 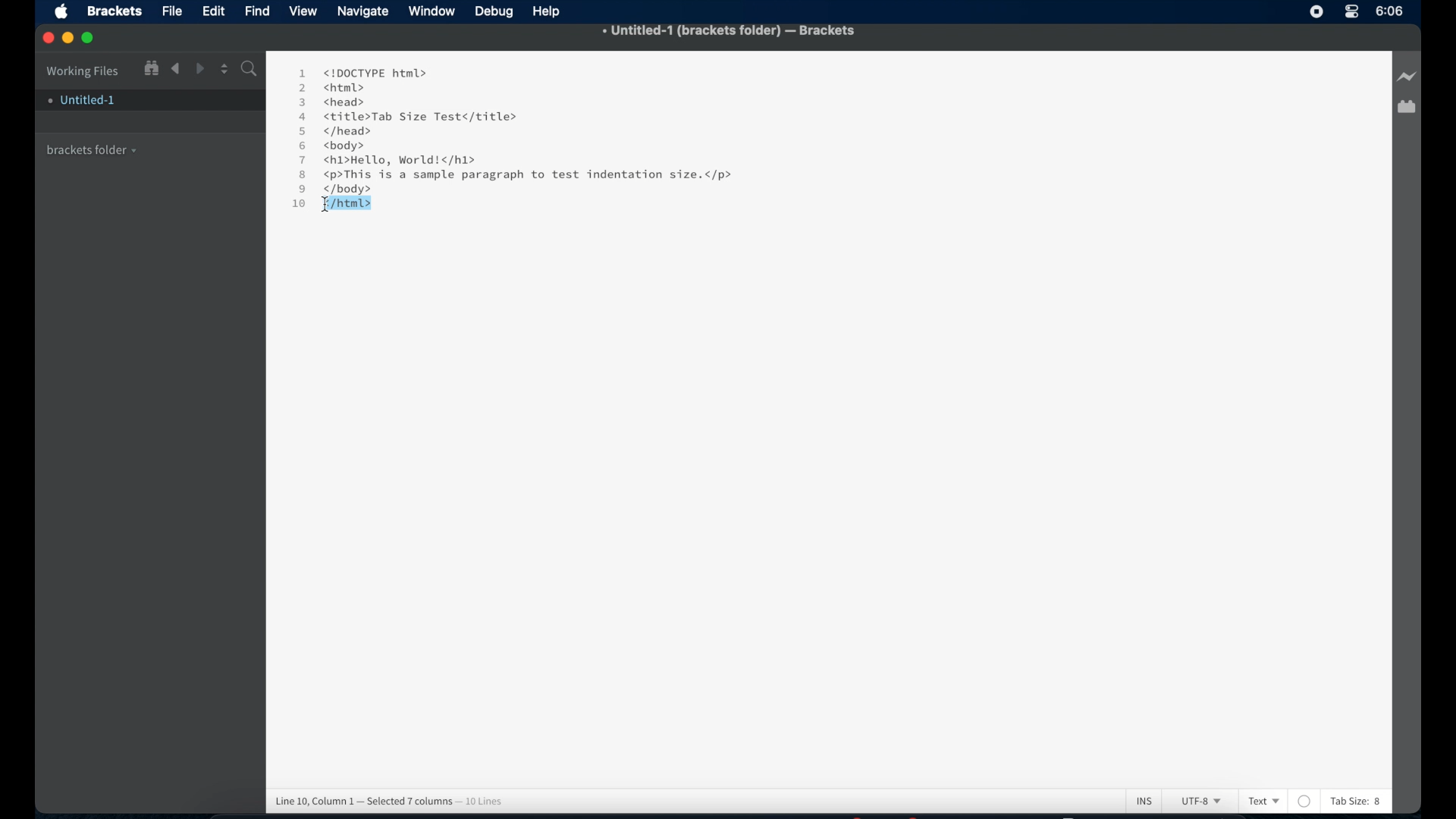 What do you see at coordinates (550, 11) in the screenshot?
I see `Help` at bounding box center [550, 11].